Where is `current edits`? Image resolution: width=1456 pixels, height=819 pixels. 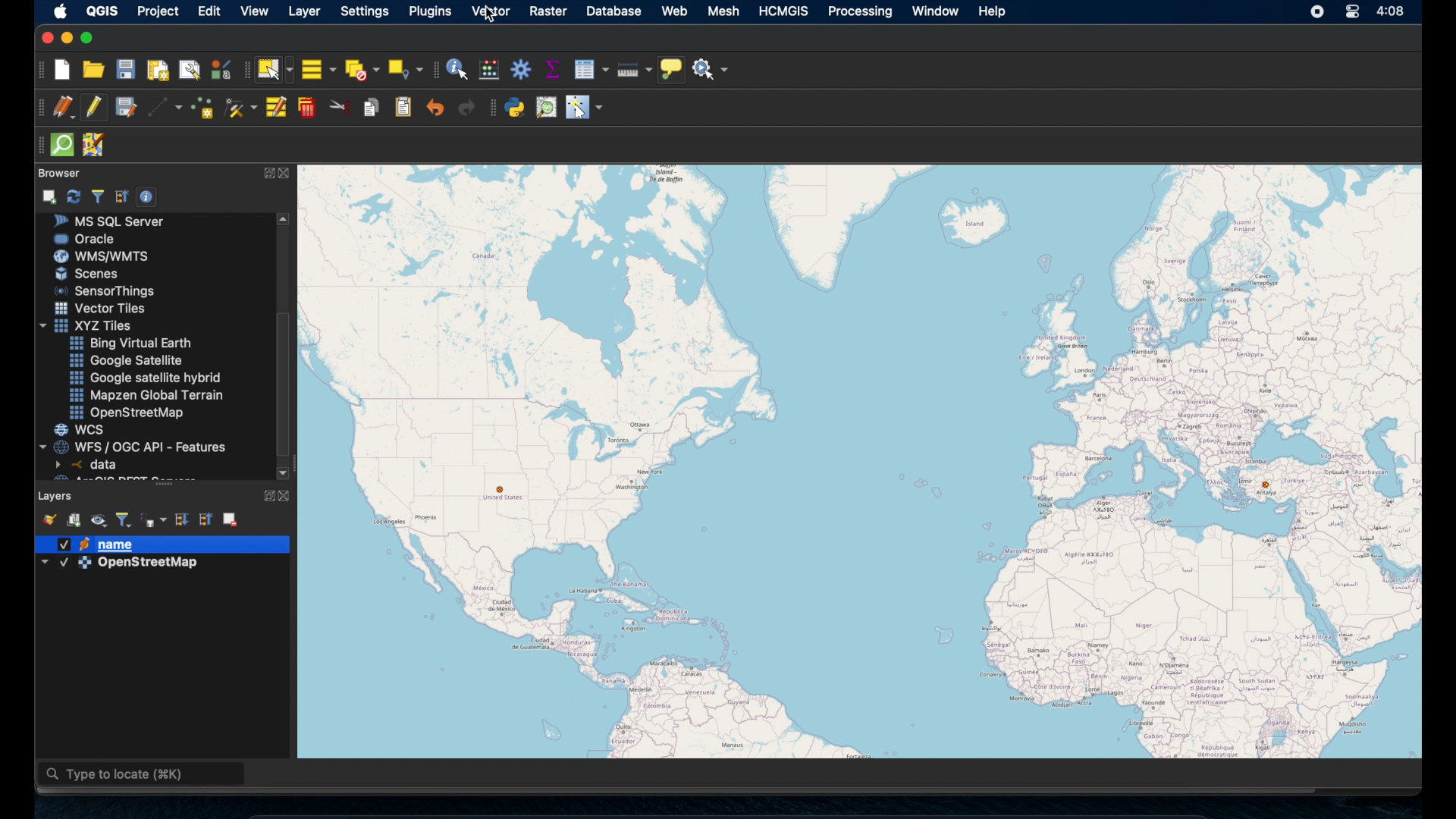
current edits is located at coordinates (62, 107).